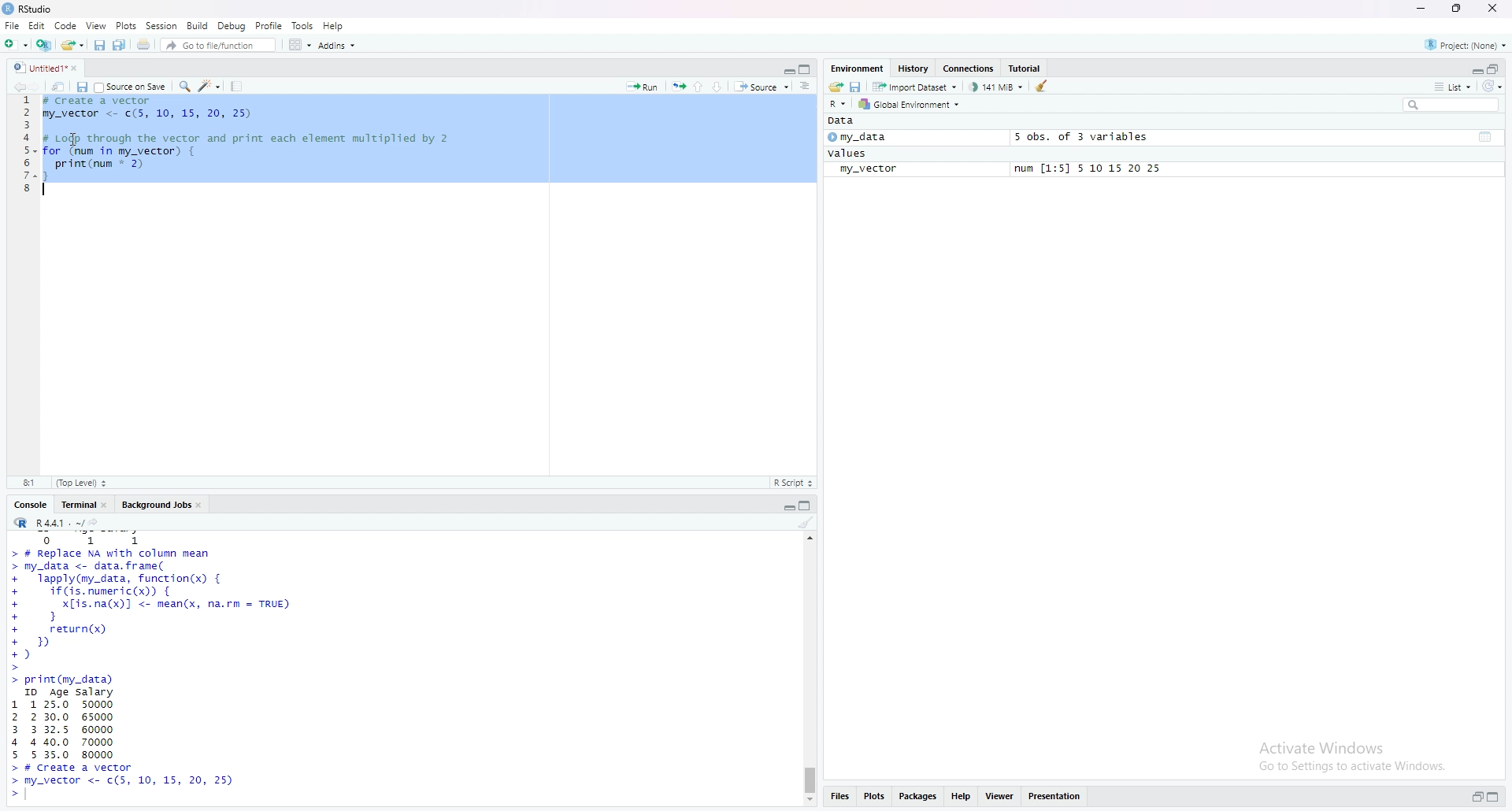  What do you see at coordinates (1475, 69) in the screenshot?
I see `expand` at bounding box center [1475, 69].